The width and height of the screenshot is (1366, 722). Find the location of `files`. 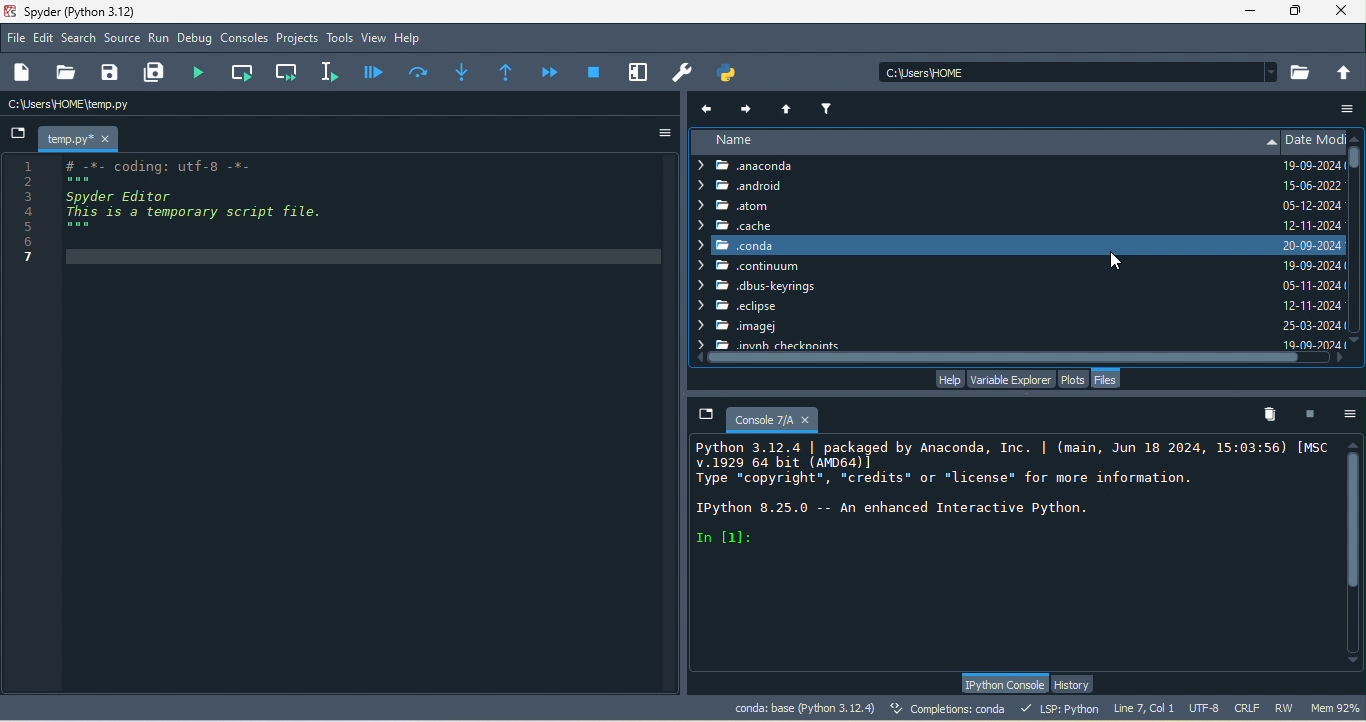

files is located at coordinates (1110, 379).